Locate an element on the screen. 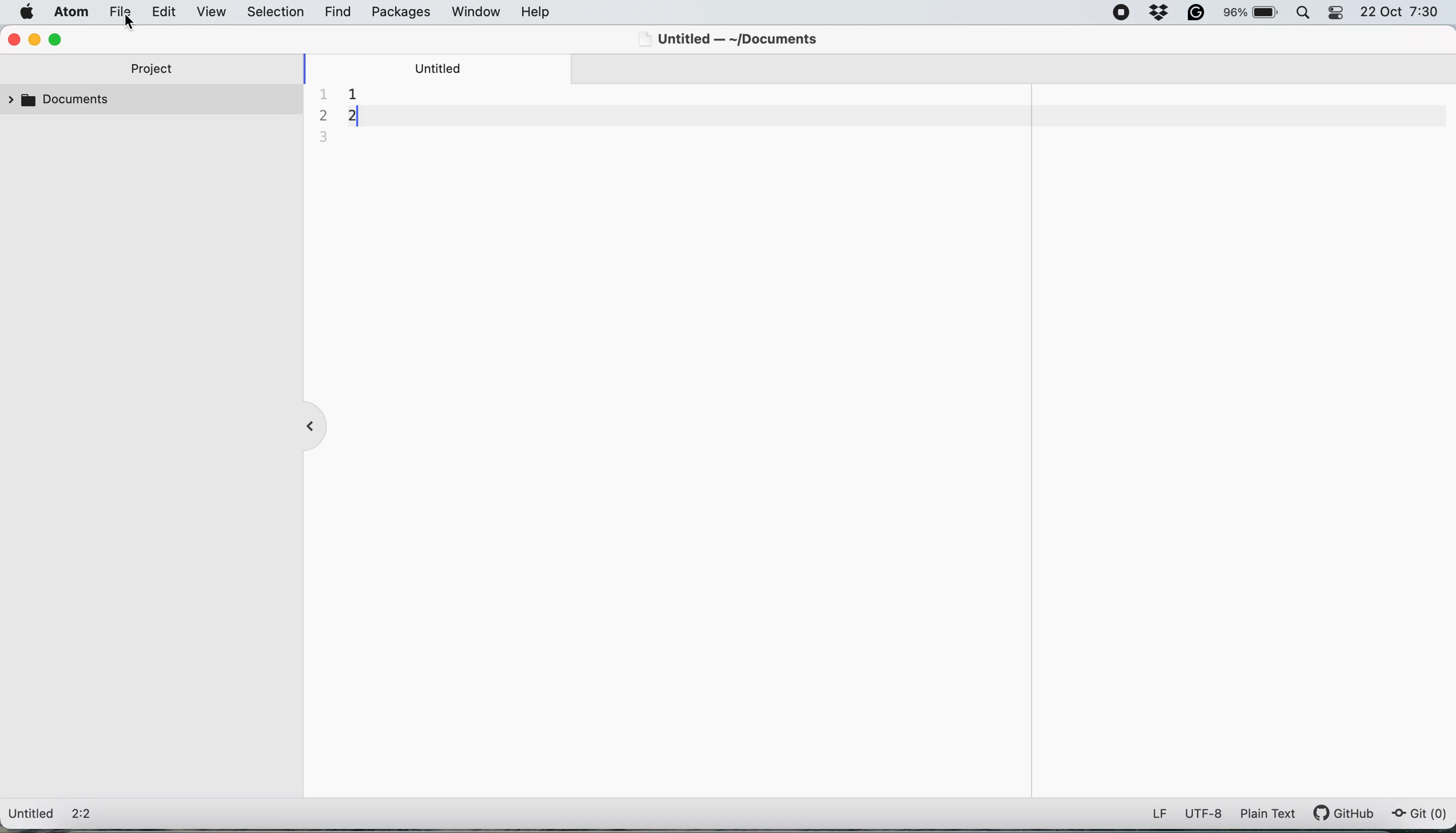  Untitled — ~/Documents is located at coordinates (734, 37).